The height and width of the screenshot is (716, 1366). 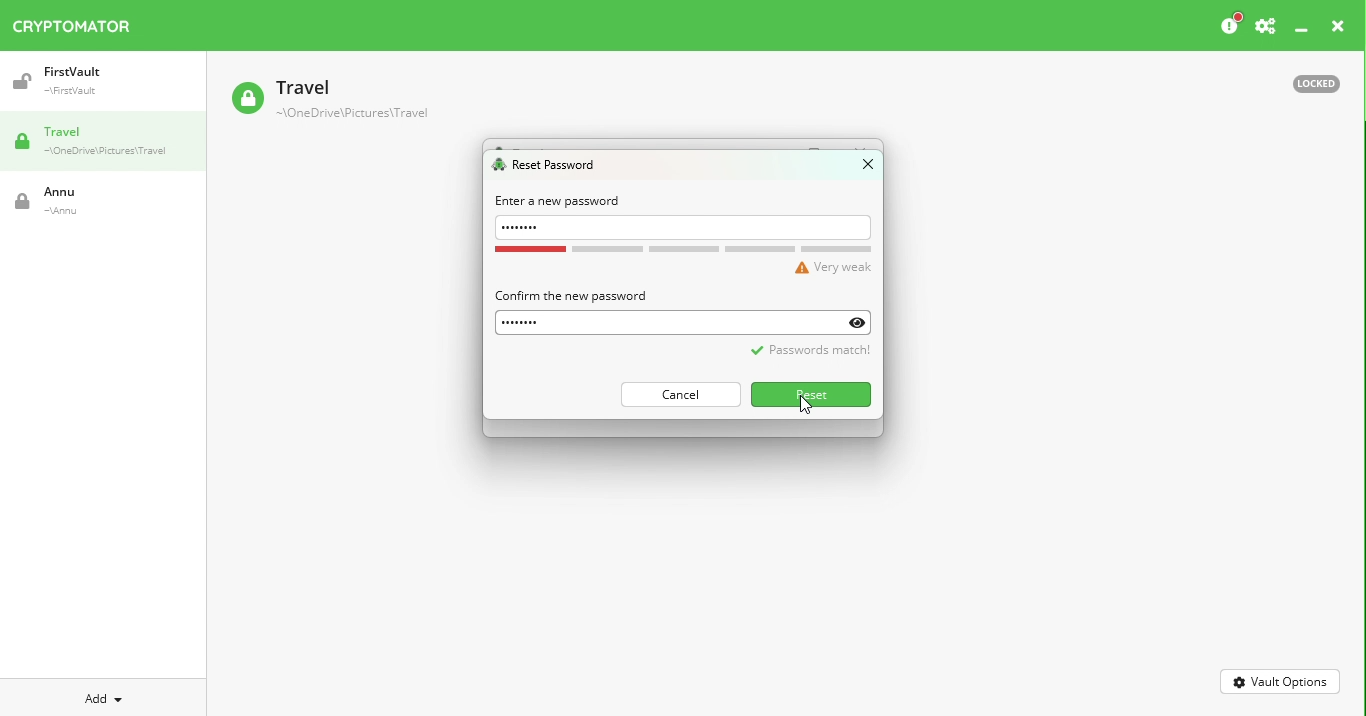 What do you see at coordinates (104, 696) in the screenshot?
I see `Add new vault` at bounding box center [104, 696].